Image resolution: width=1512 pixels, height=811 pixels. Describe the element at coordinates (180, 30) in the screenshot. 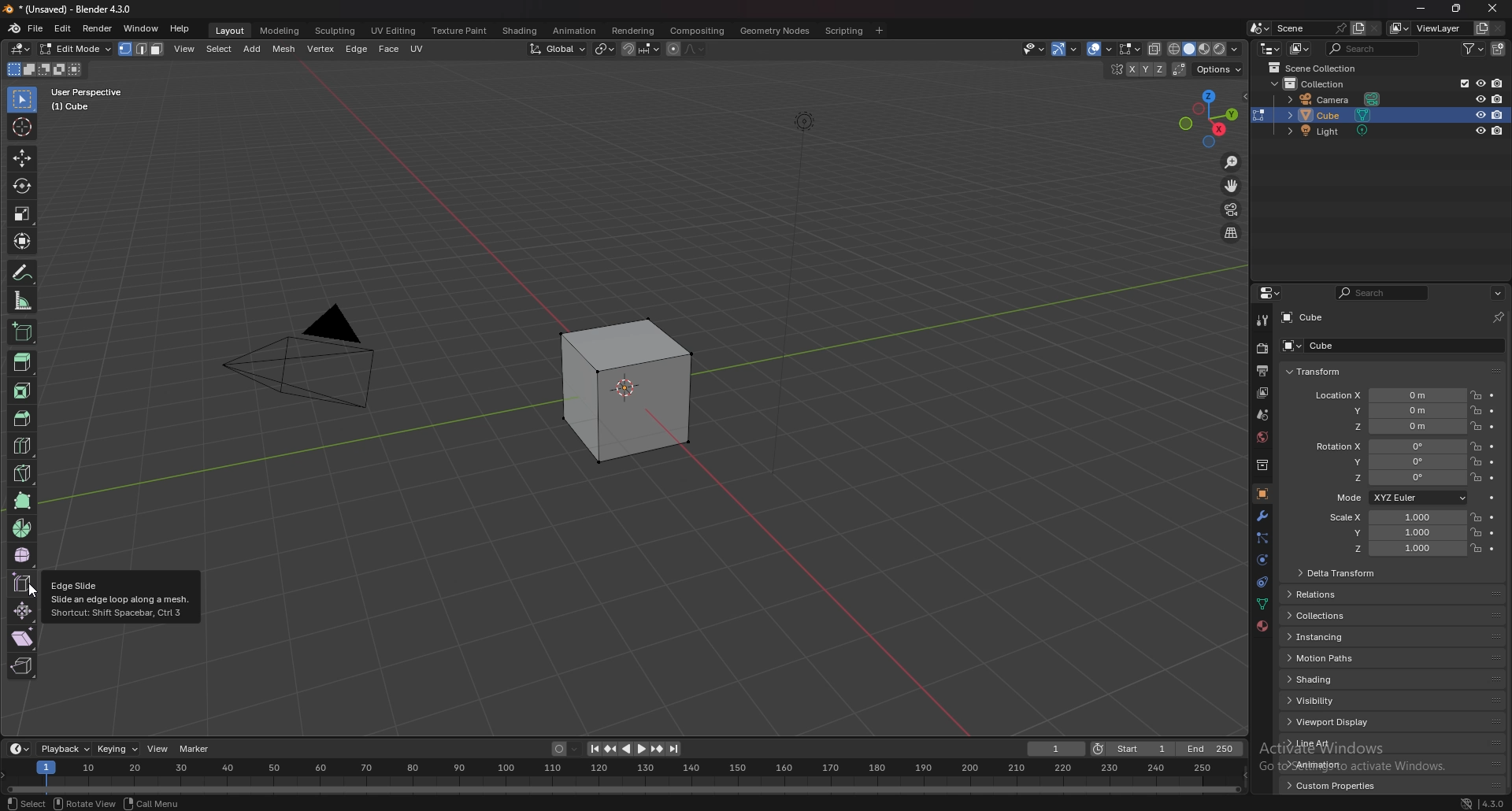

I see `help` at that location.